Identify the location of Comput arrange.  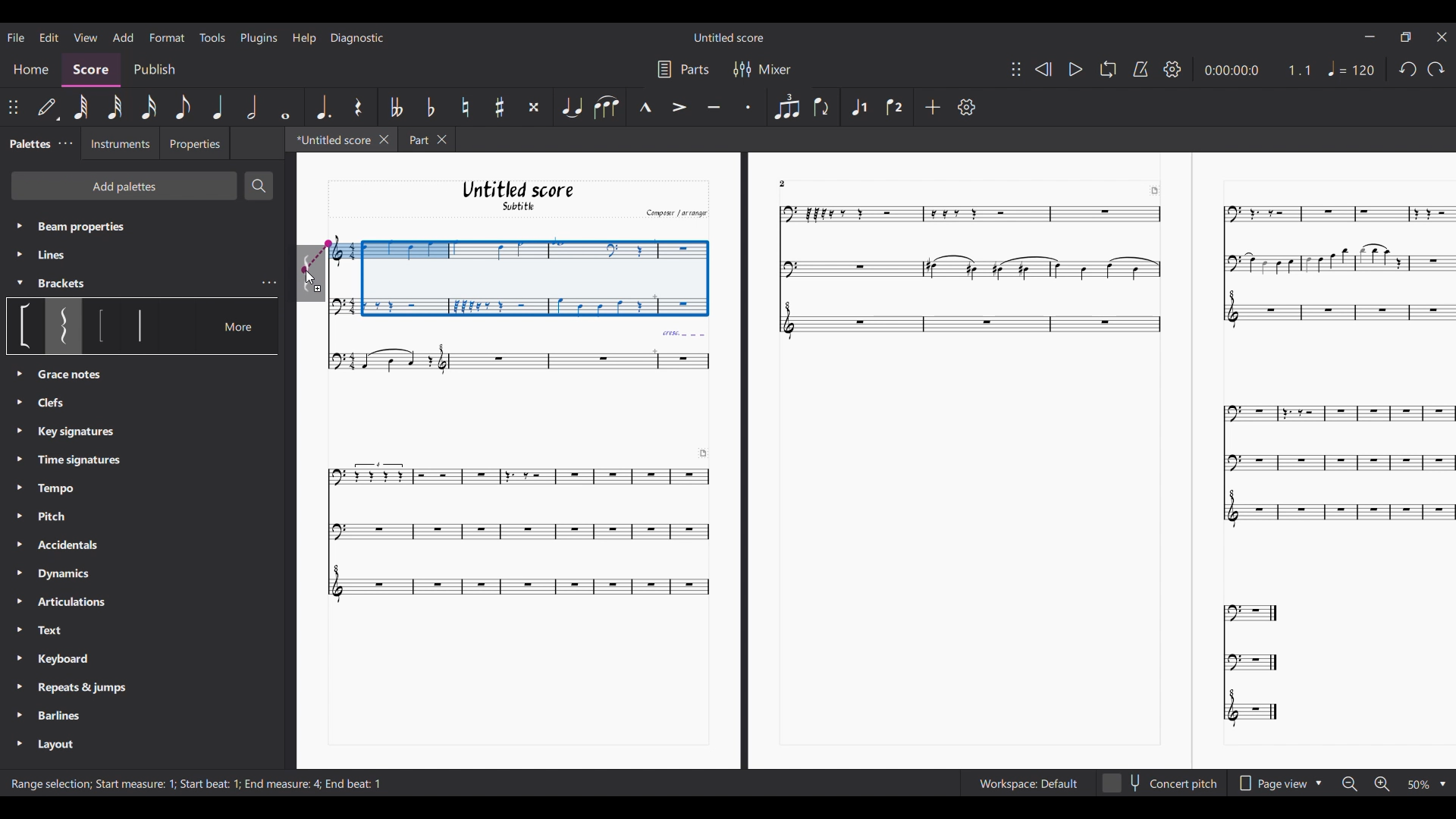
(673, 212).